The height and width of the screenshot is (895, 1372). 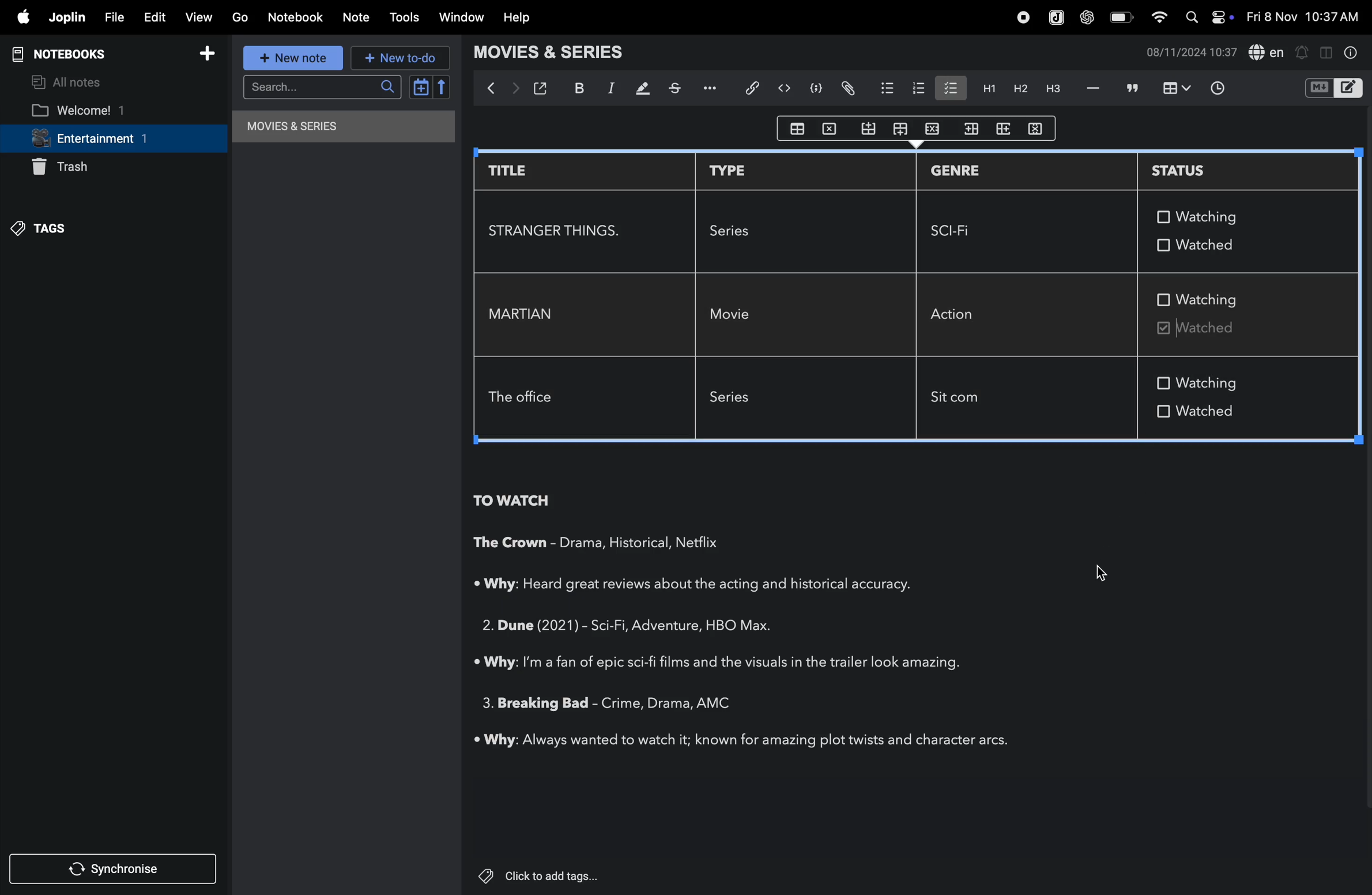 What do you see at coordinates (1269, 51) in the screenshot?
I see `spell check` at bounding box center [1269, 51].